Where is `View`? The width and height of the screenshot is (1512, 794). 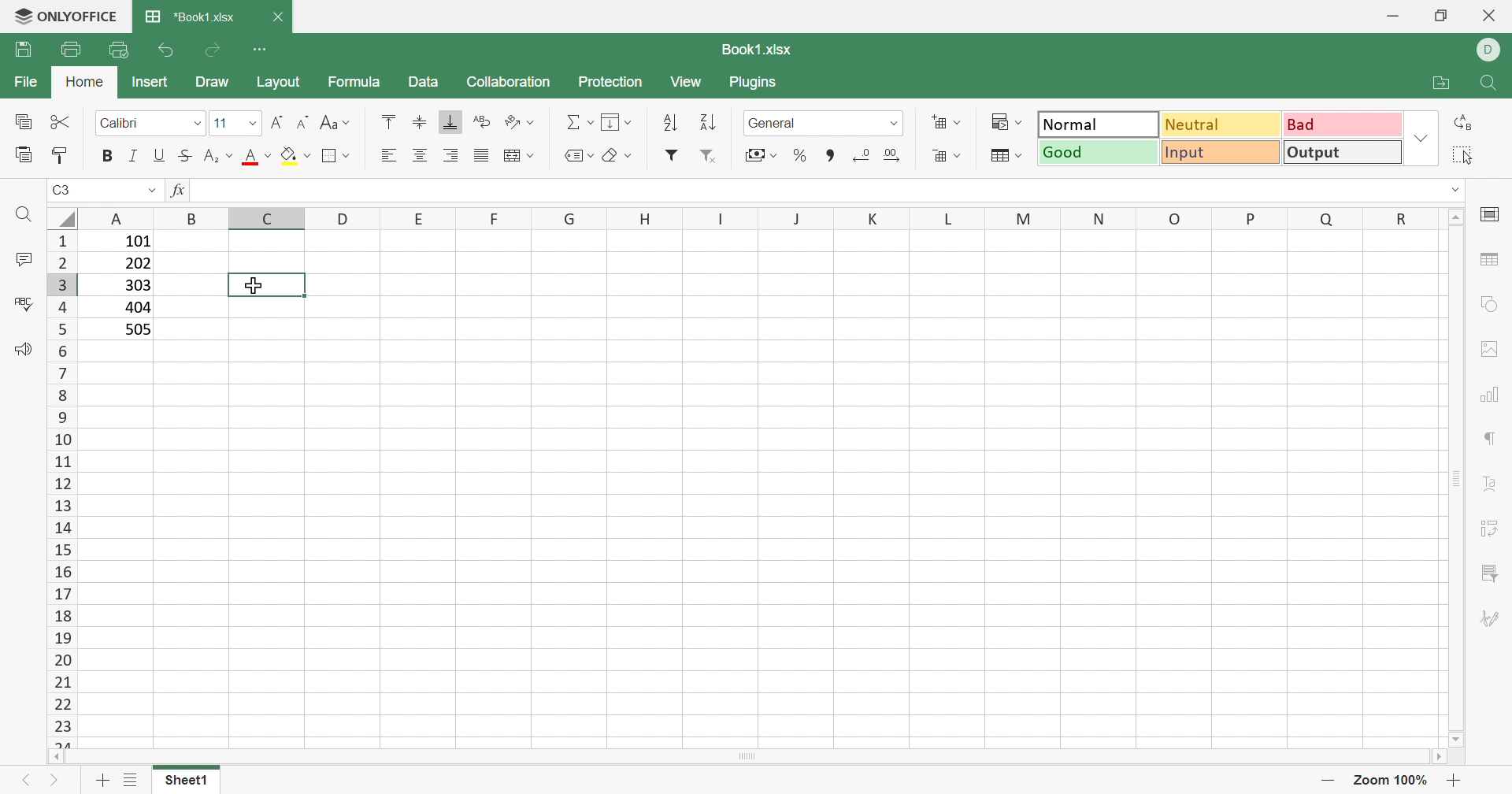
View is located at coordinates (691, 82).